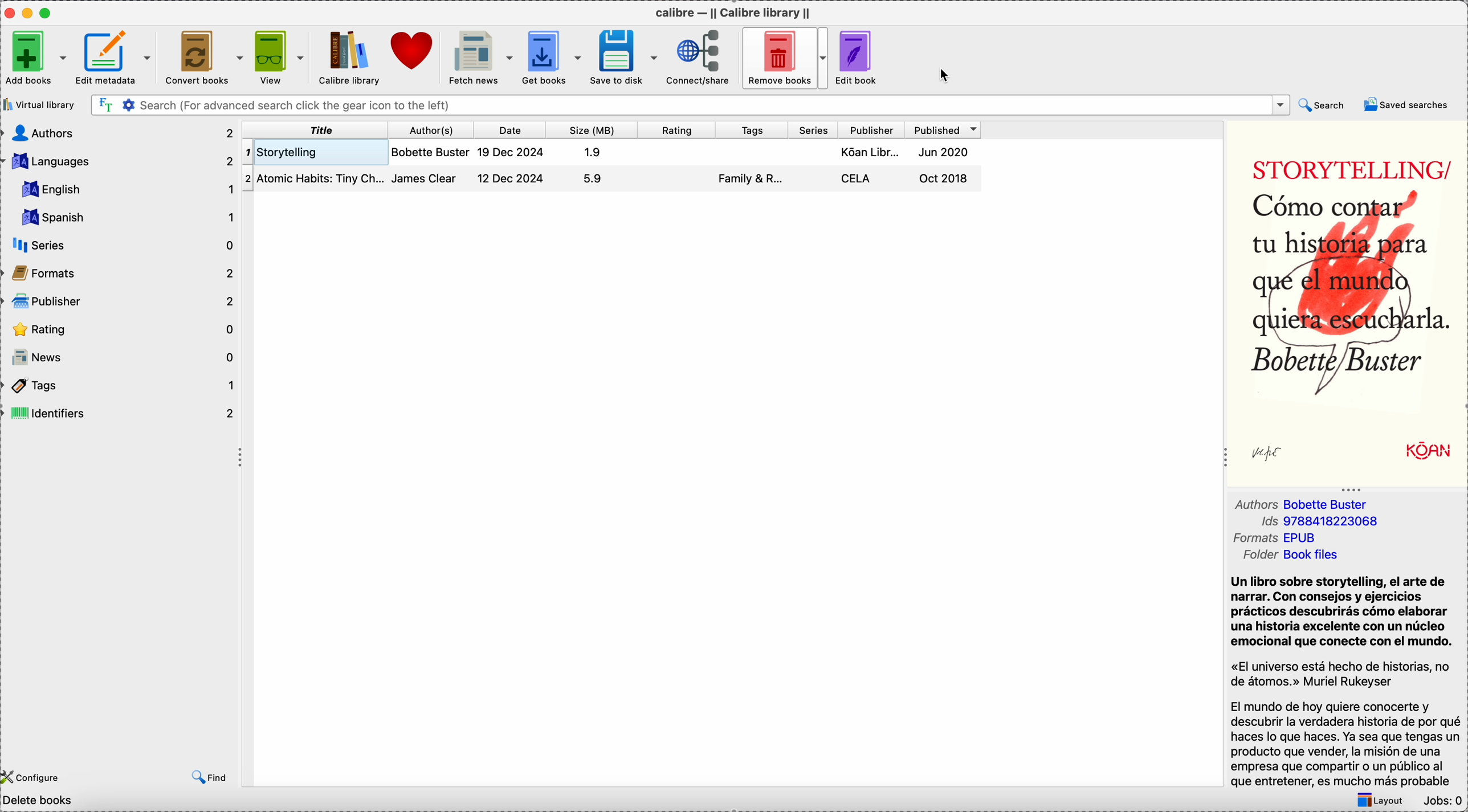  Describe the element at coordinates (737, 14) in the screenshot. I see `Calibre - || Calibre library ||` at that location.